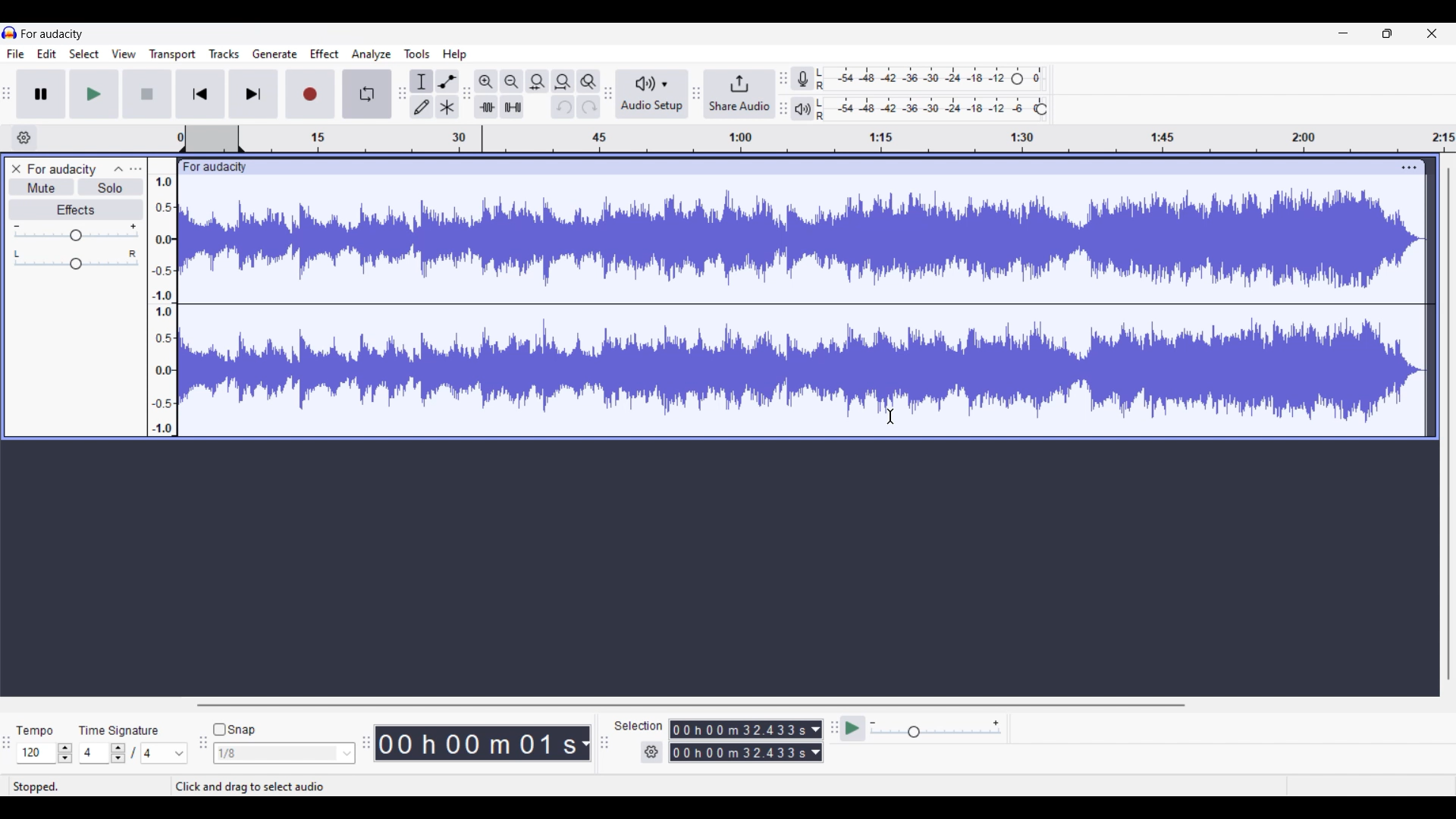 This screenshot has width=1456, height=819. I want to click on Horizontal scroll bar, so click(689, 705).